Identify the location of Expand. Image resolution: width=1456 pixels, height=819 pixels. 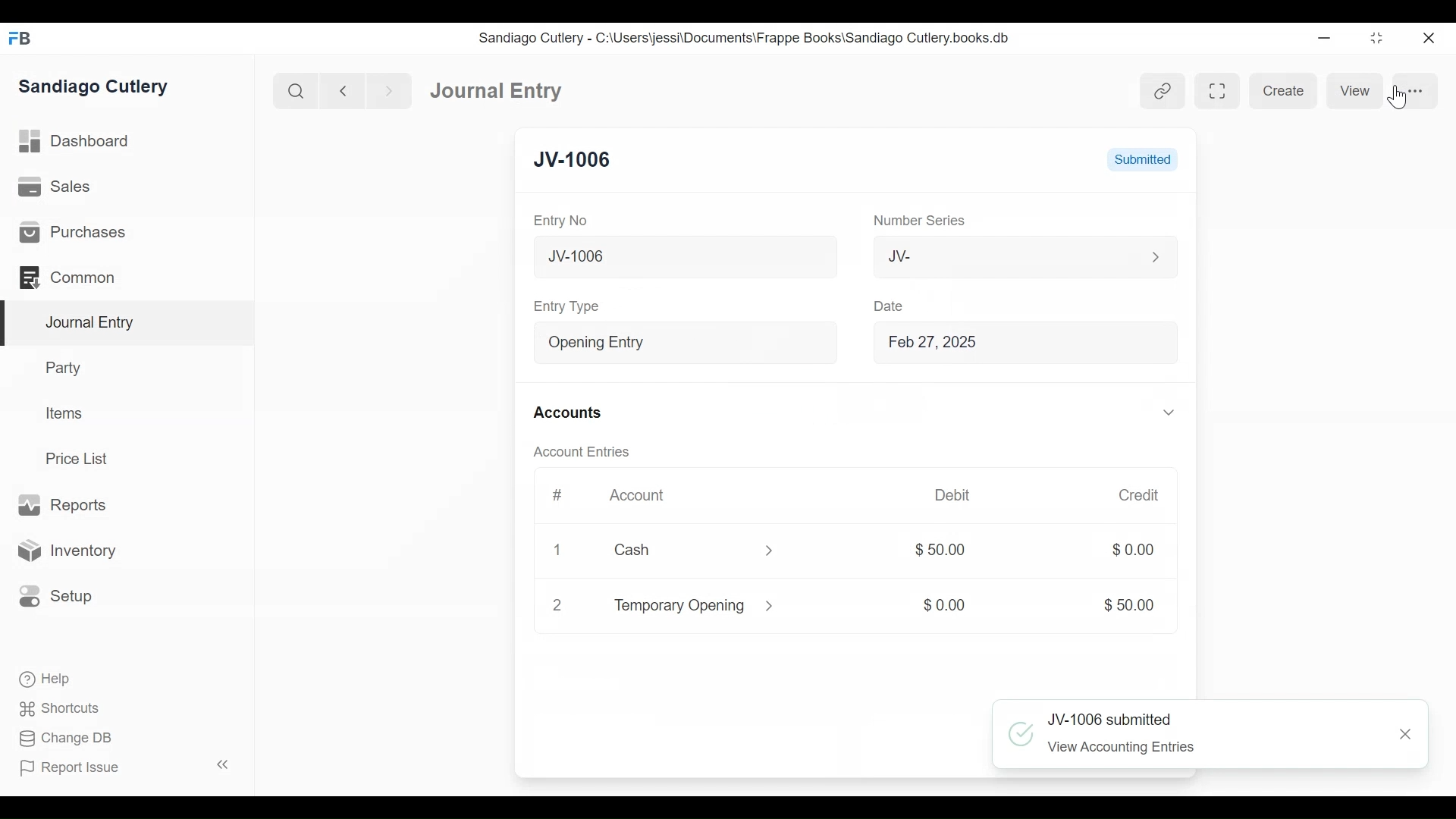
(1160, 412).